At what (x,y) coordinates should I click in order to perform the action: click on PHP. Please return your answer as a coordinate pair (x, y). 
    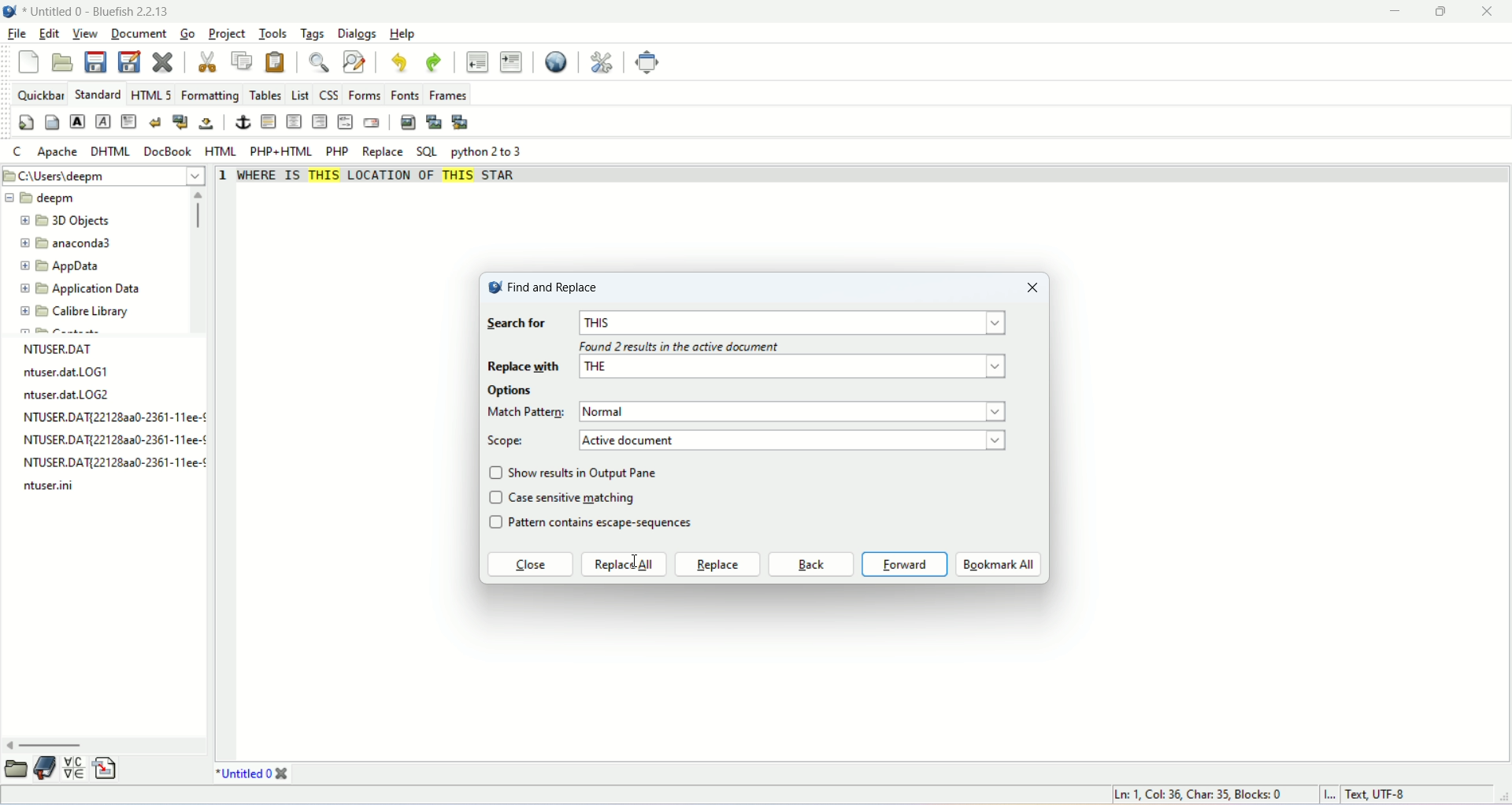
    Looking at the image, I should click on (337, 150).